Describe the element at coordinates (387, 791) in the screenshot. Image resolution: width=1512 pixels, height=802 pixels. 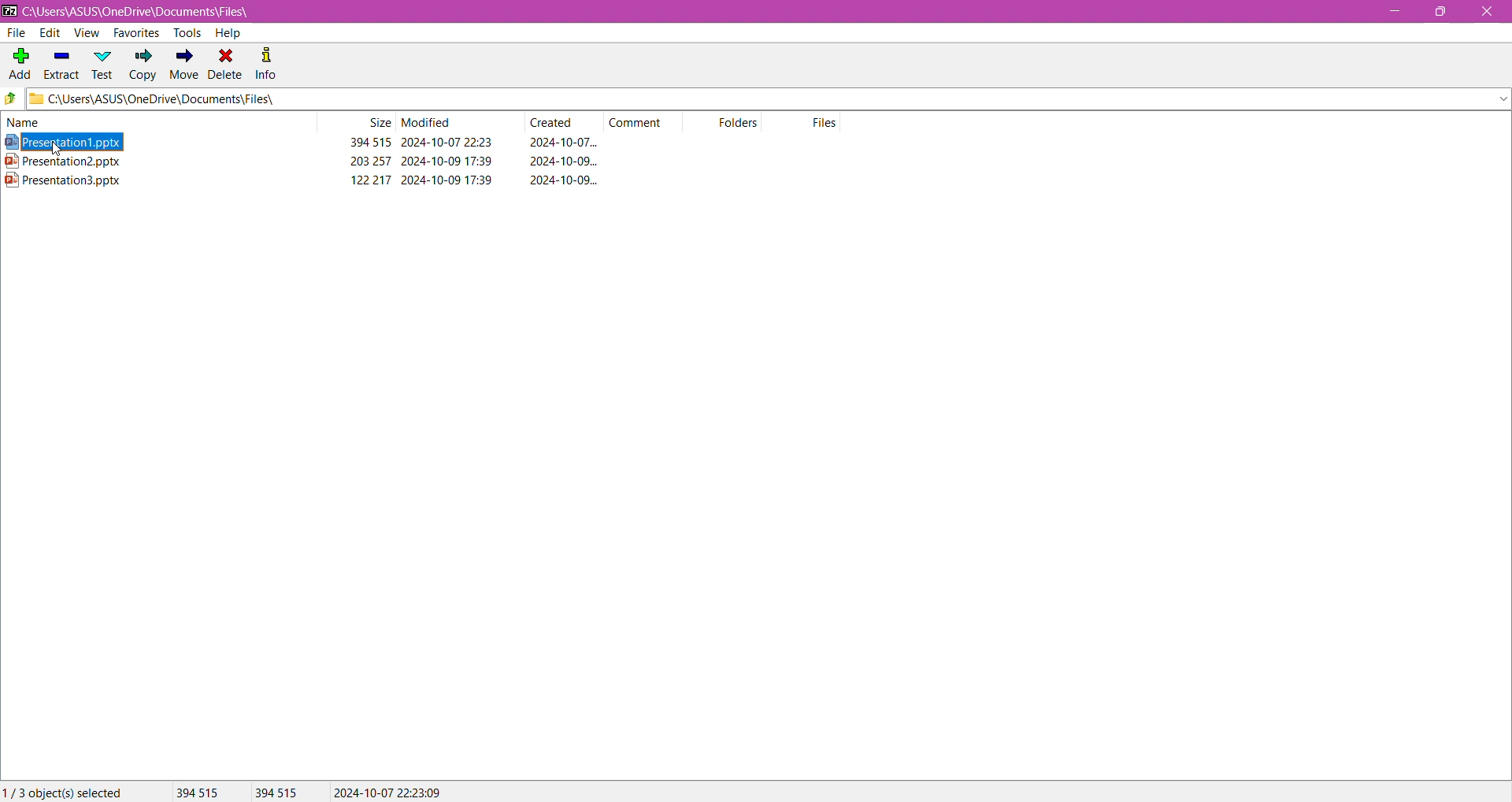
I see `2024-10-07 22:23:09` at that location.